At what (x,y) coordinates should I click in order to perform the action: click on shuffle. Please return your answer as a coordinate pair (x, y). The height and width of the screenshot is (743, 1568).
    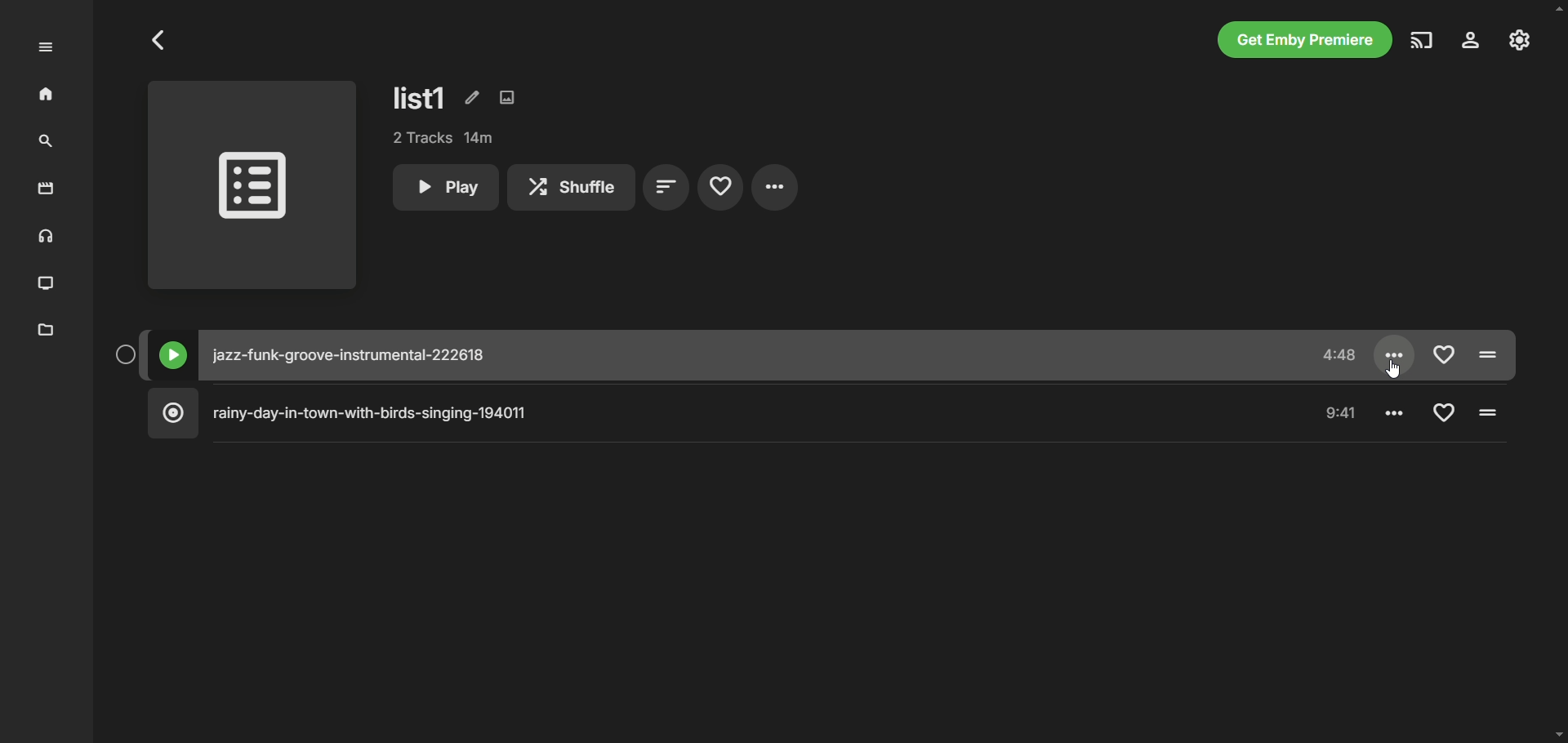
    Looking at the image, I should click on (571, 187).